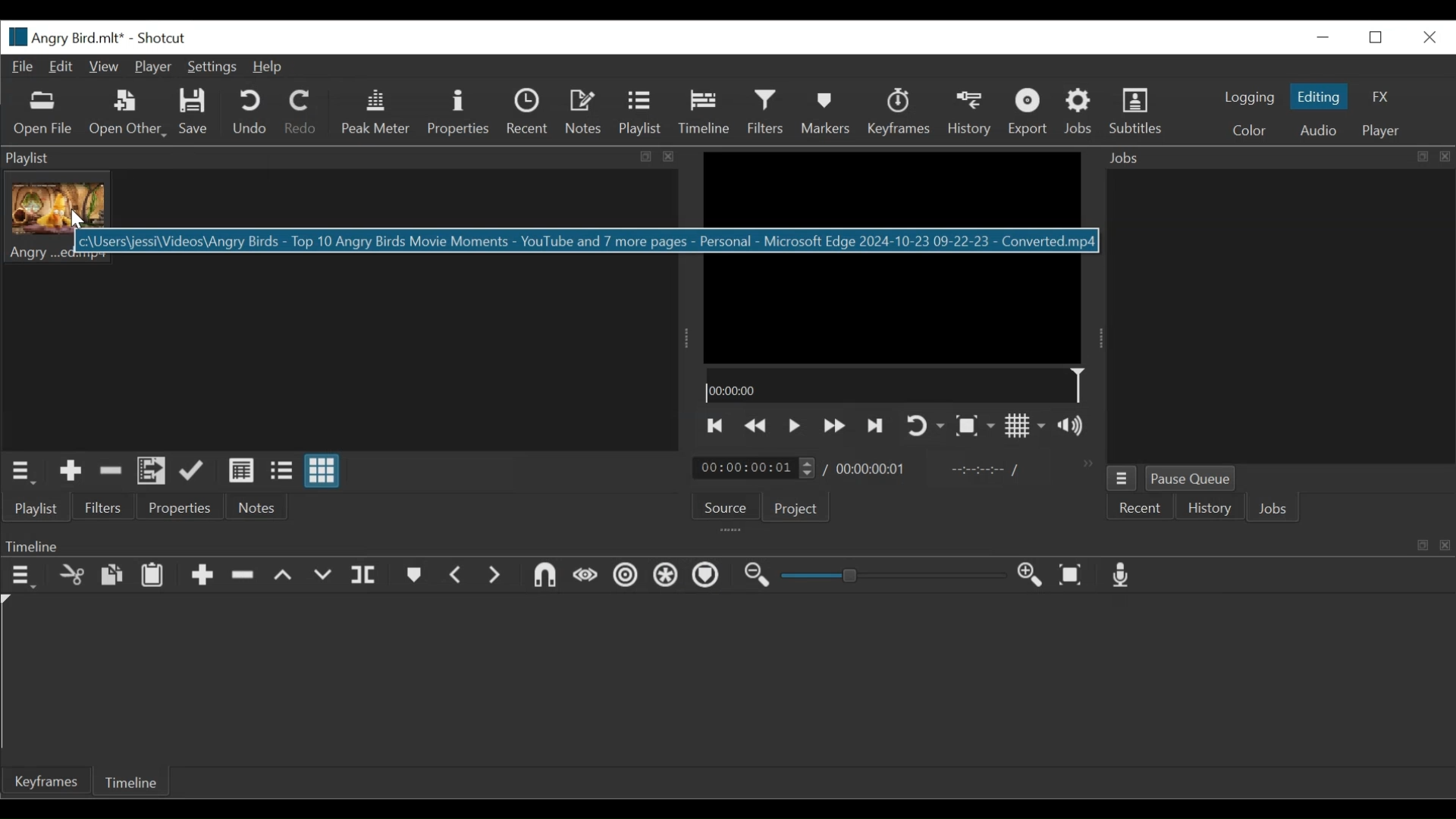  Describe the element at coordinates (758, 576) in the screenshot. I see `Zoom timeline out` at that location.